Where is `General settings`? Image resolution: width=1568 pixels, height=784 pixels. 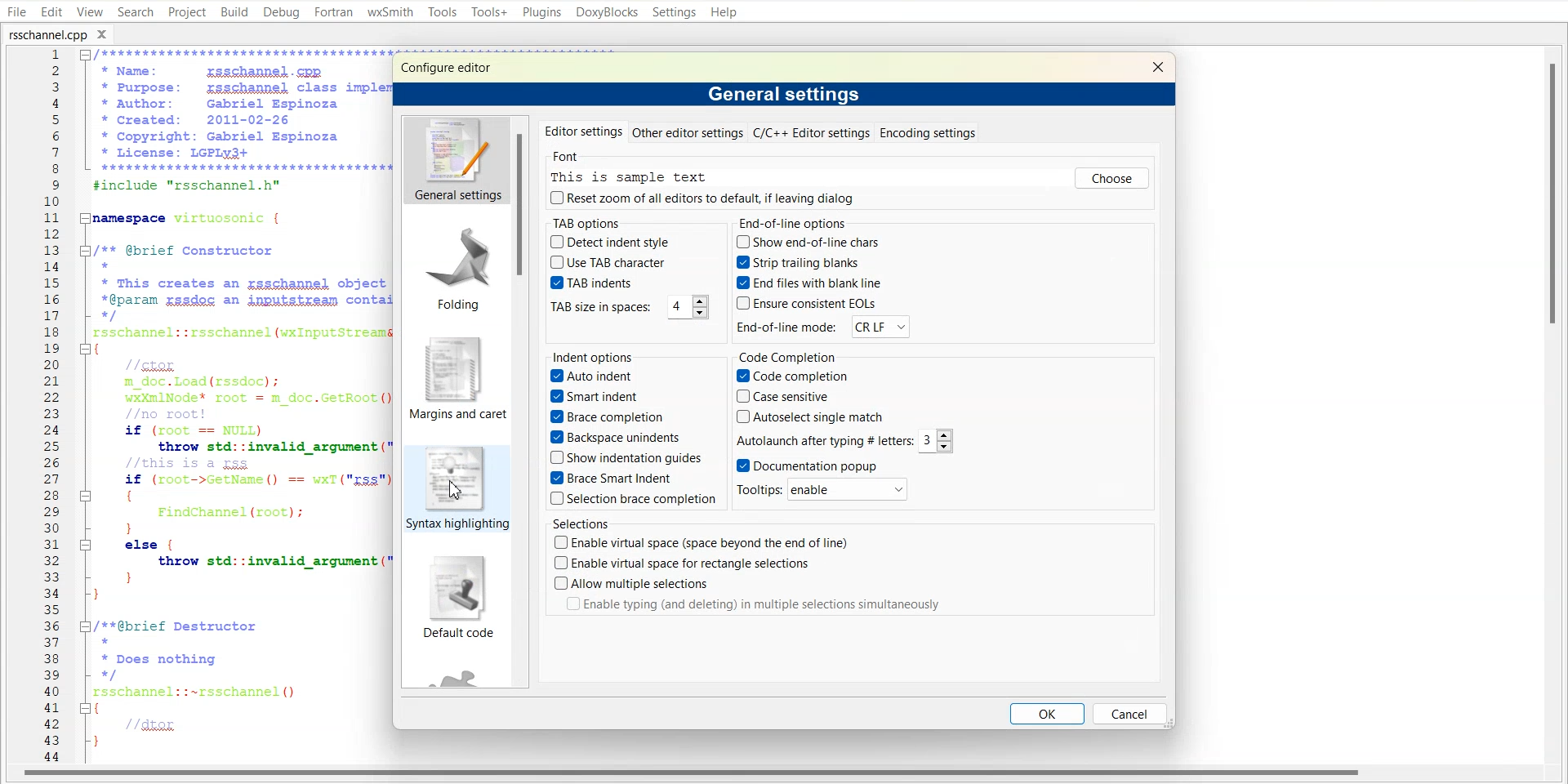 General settings is located at coordinates (788, 93).